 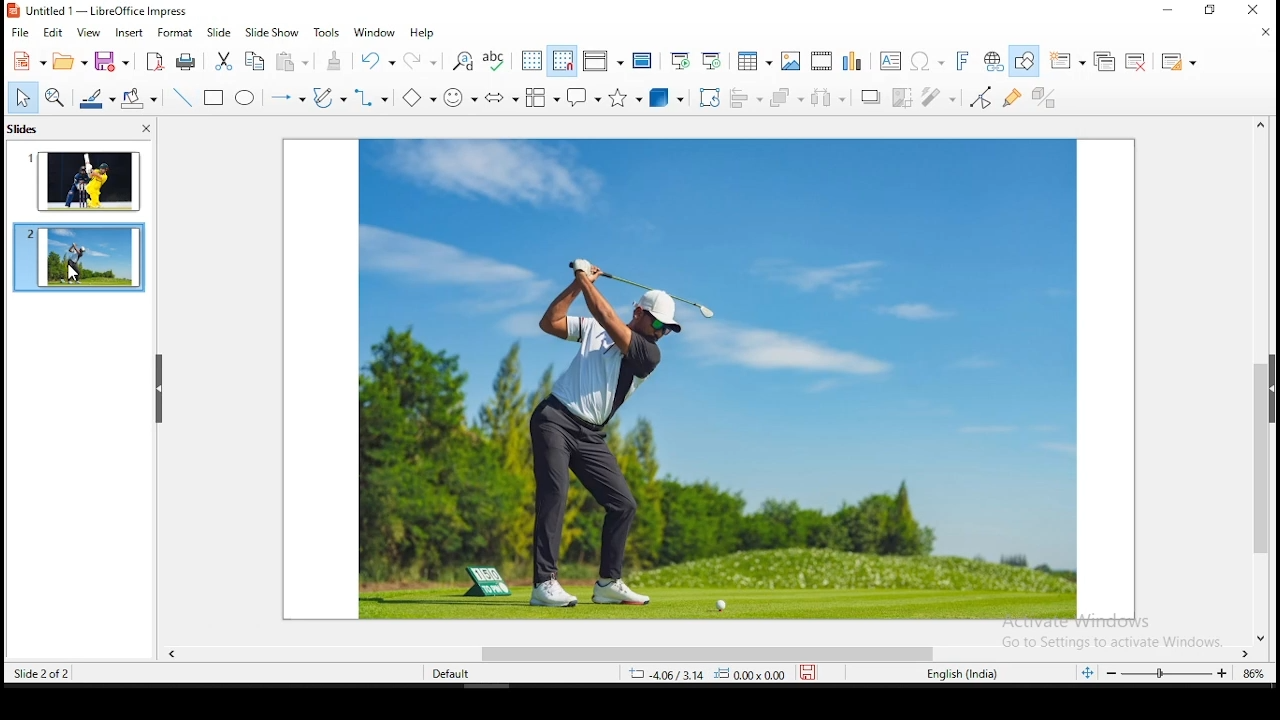 I want to click on callout shape, so click(x=583, y=97).